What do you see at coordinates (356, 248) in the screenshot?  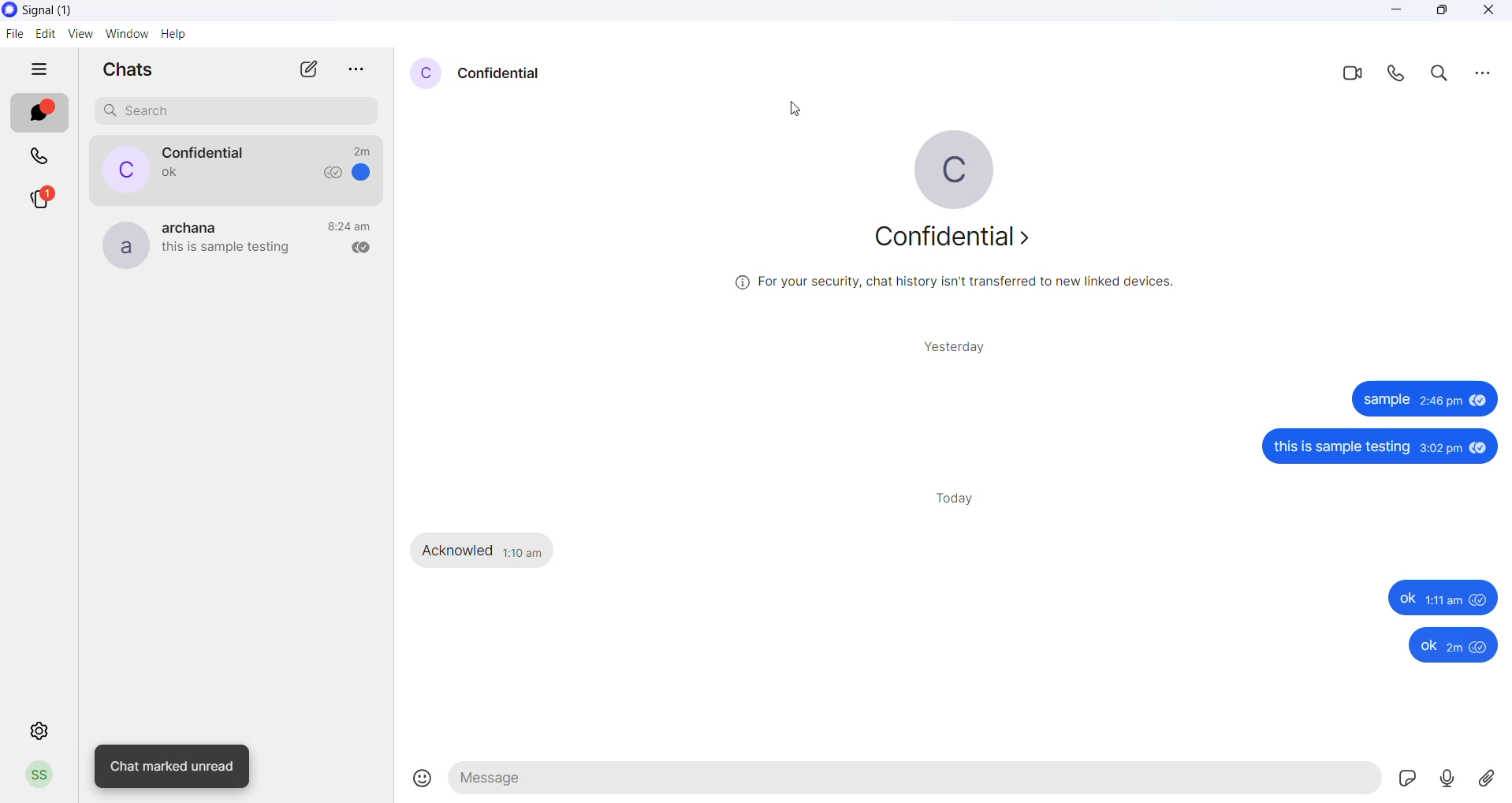 I see `read recipient ` at bounding box center [356, 248].